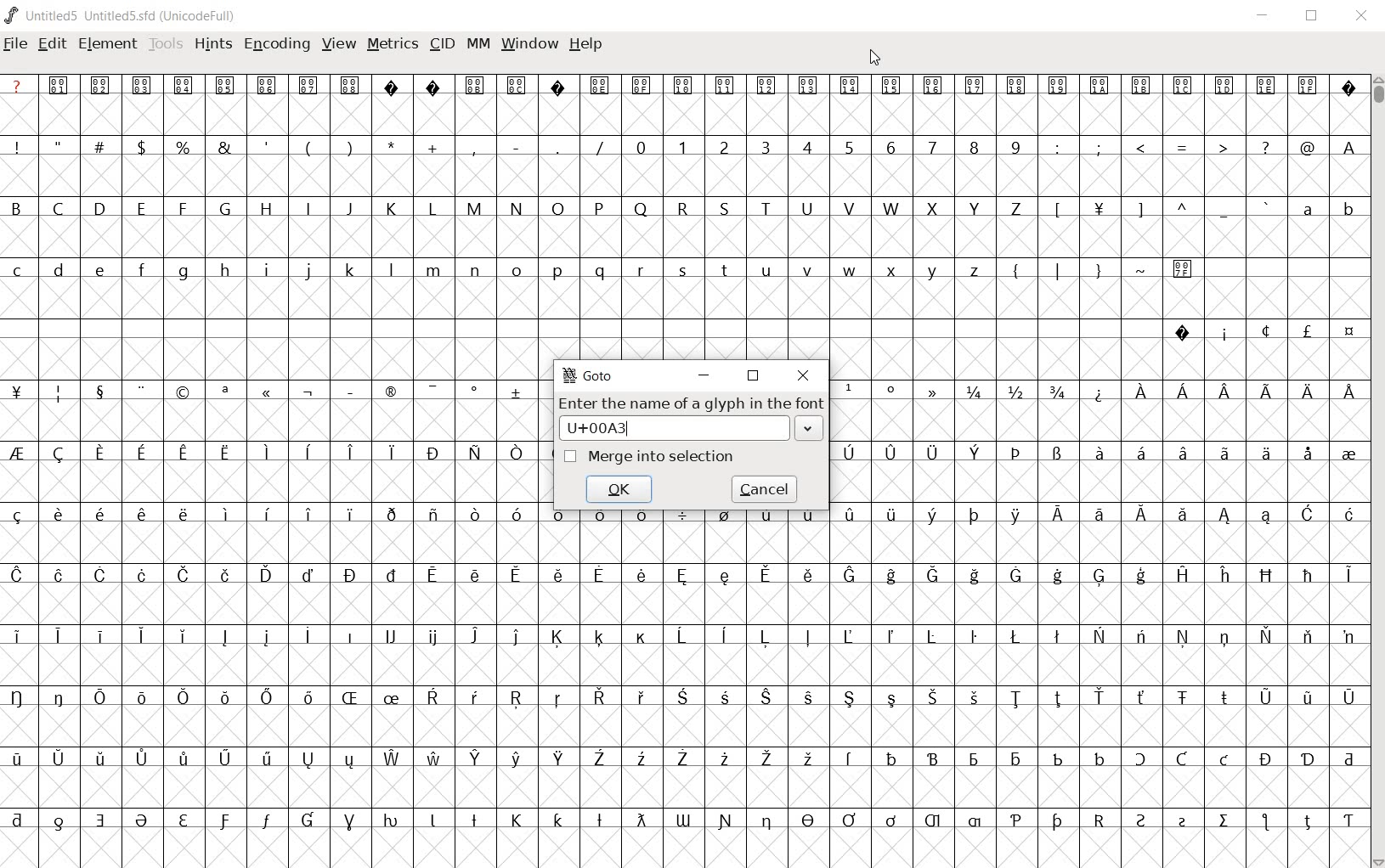 The width and height of the screenshot is (1385, 868). Describe the element at coordinates (517, 454) in the screenshot. I see `Symbol` at that location.